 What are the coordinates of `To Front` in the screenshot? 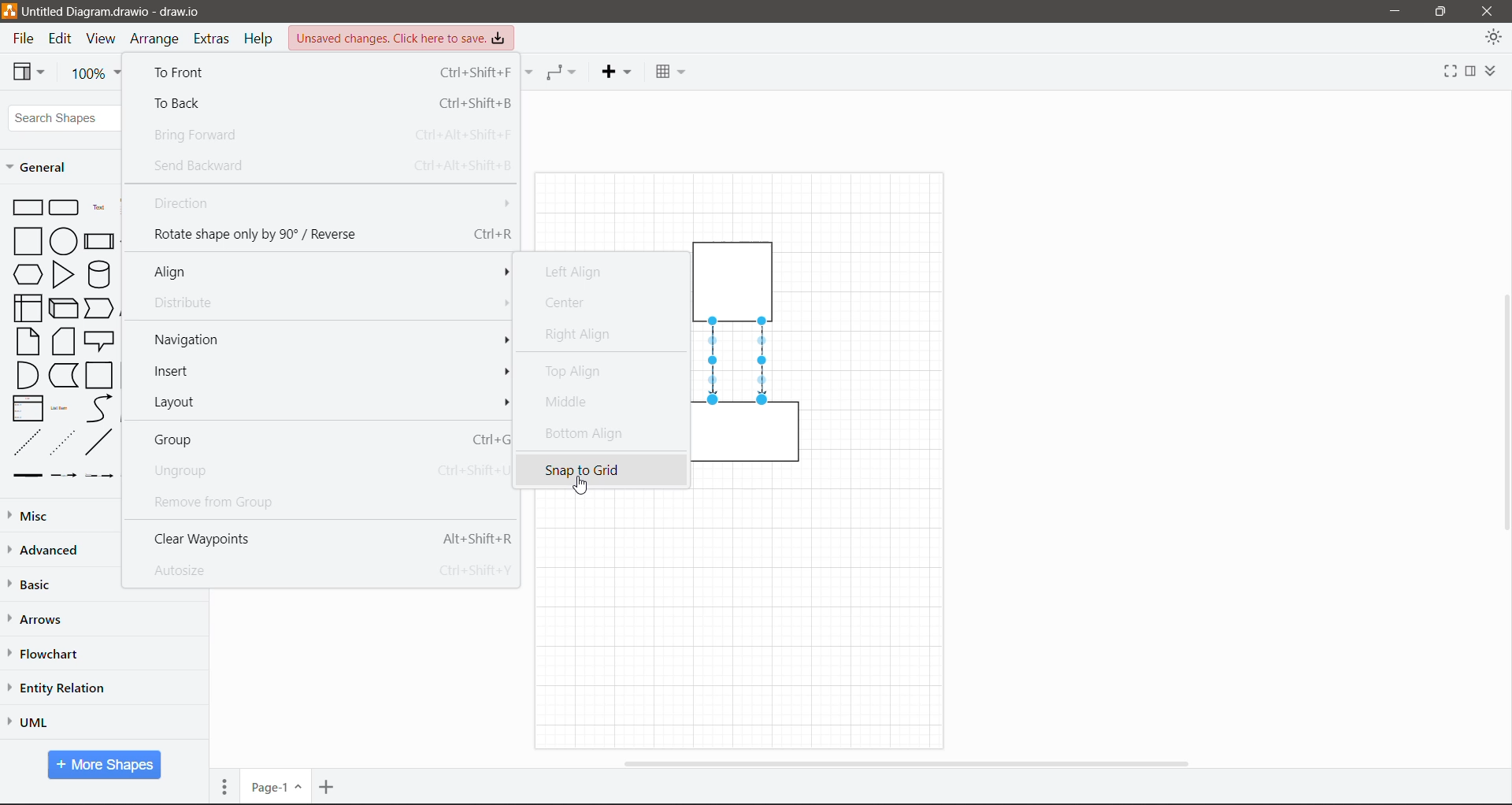 It's located at (329, 72).